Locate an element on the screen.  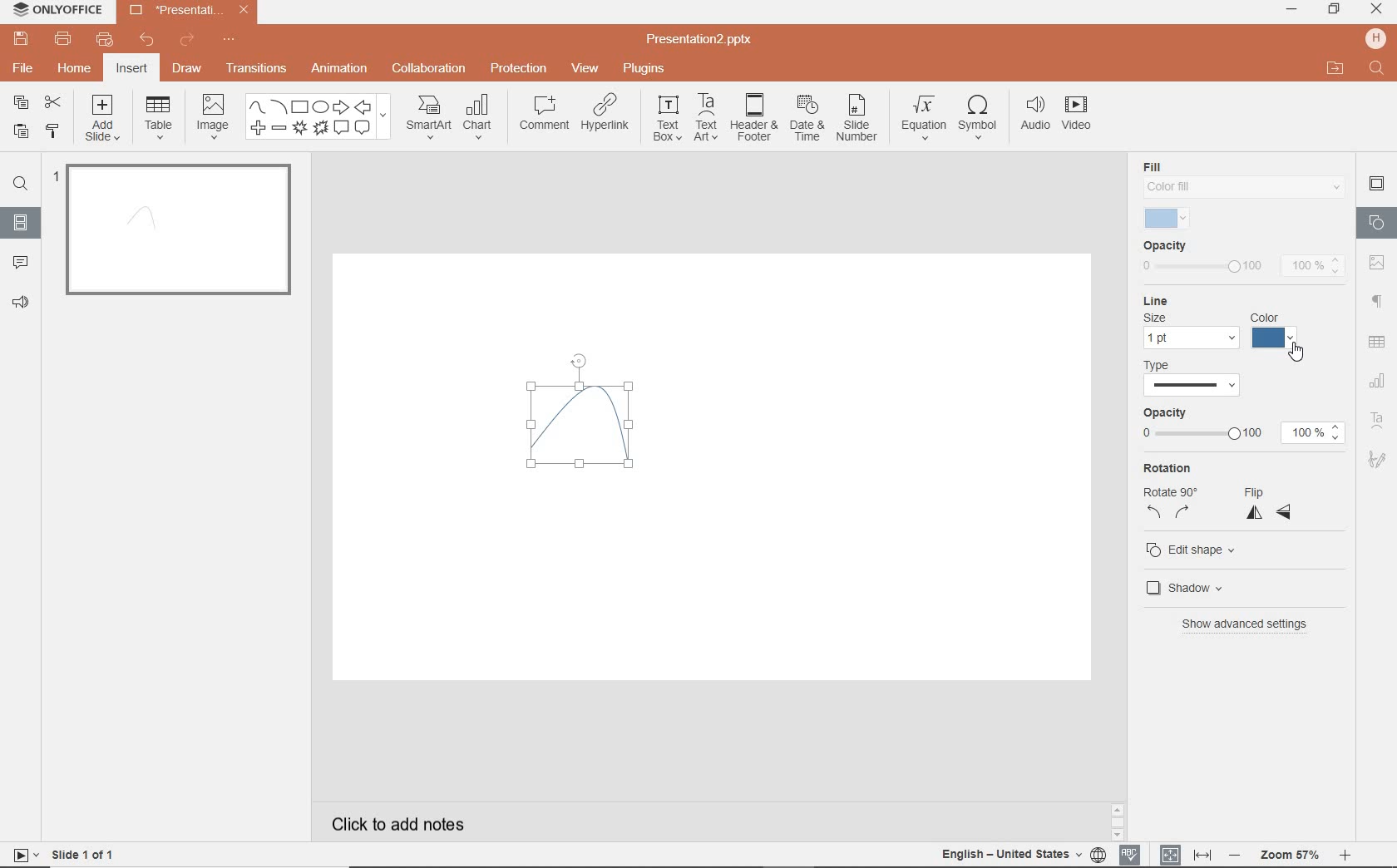
rotation is located at coordinates (1172, 479).